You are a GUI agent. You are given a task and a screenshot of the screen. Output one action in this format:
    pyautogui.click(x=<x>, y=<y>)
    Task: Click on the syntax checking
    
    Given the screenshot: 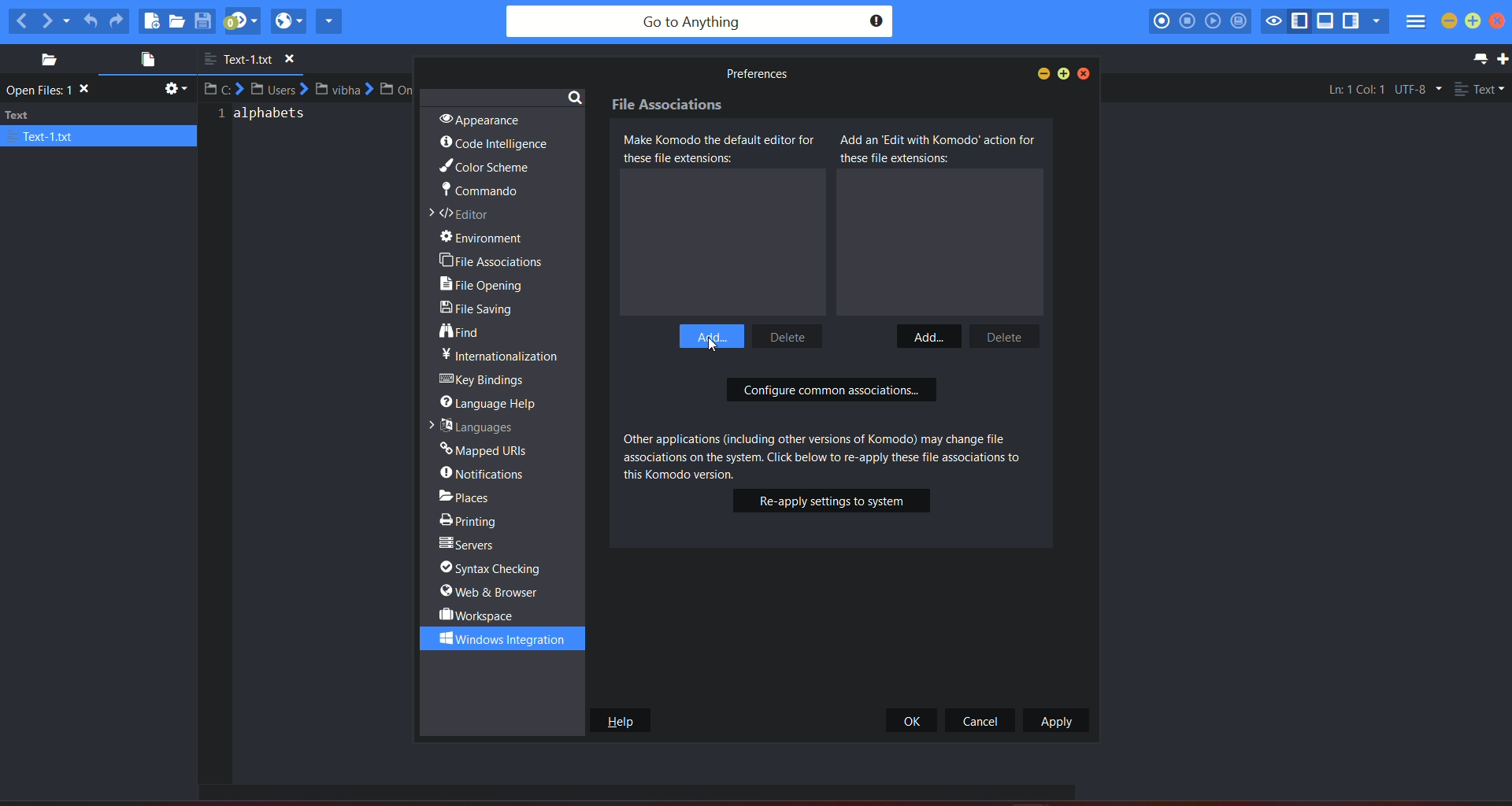 What is the action you would take?
    pyautogui.click(x=498, y=568)
    